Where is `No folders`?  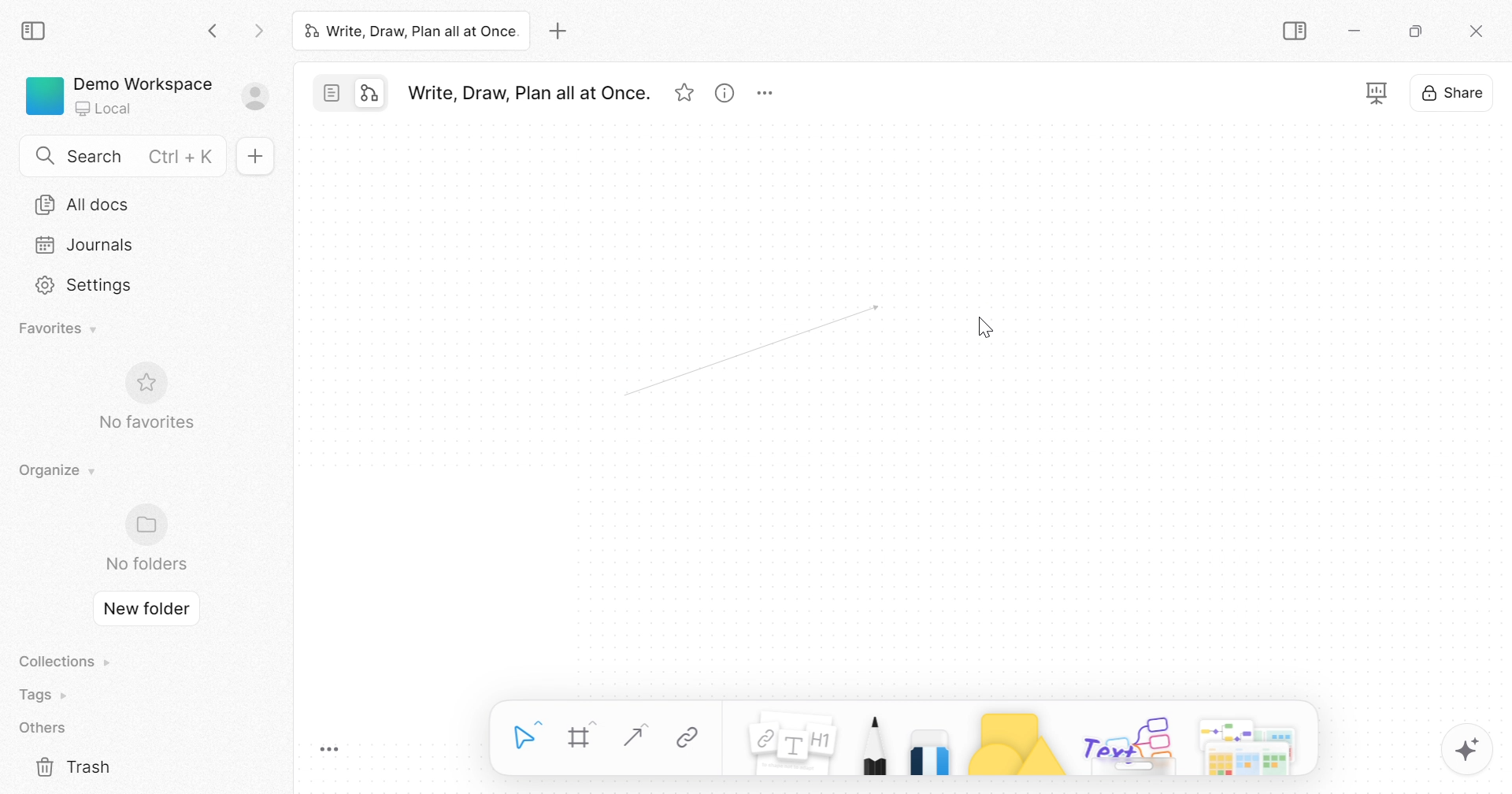 No folders is located at coordinates (146, 563).